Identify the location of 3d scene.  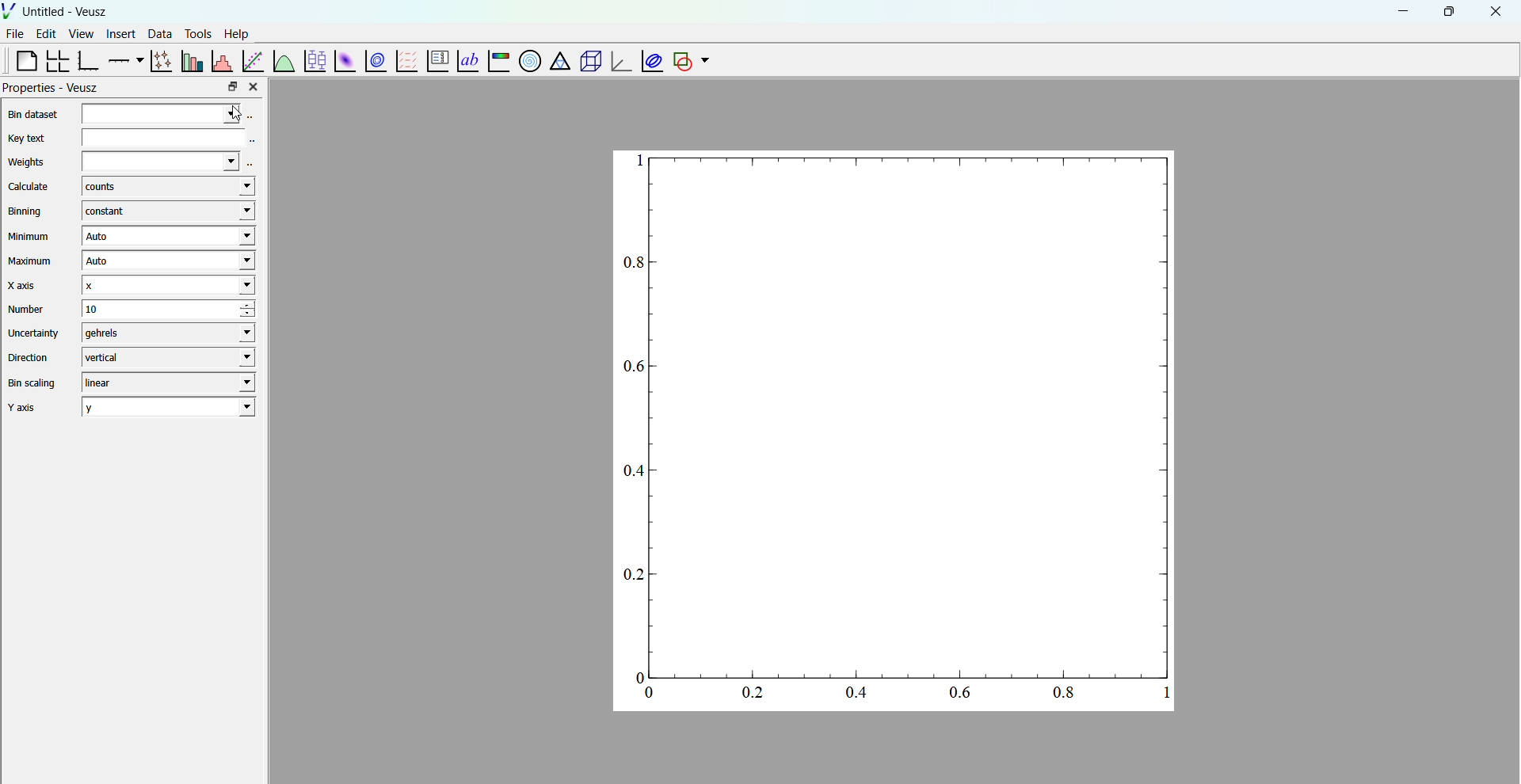
(588, 62).